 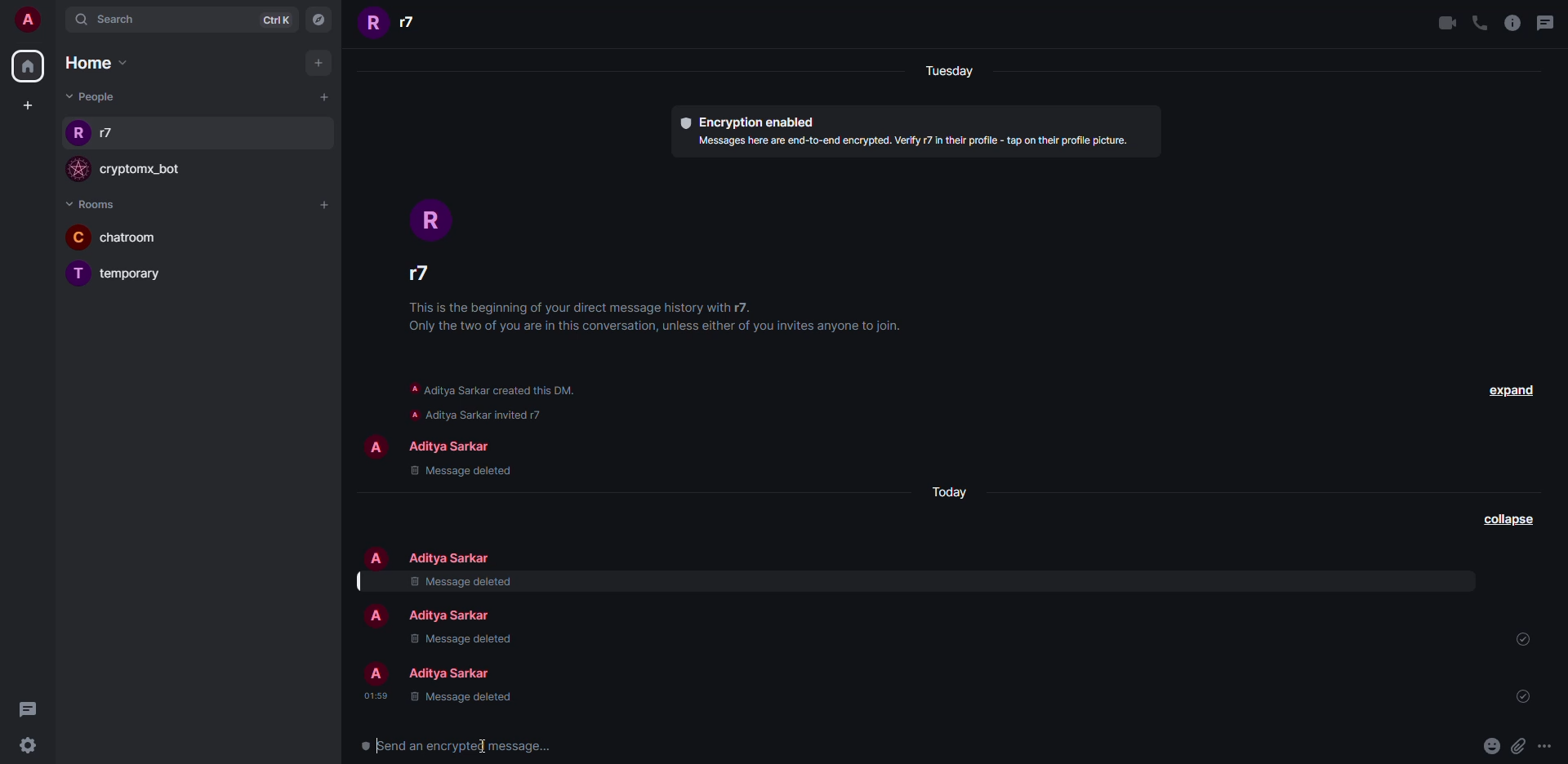 What do you see at coordinates (371, 444) in the screenshot?
I see `profile` at bounding box center [371, 444].